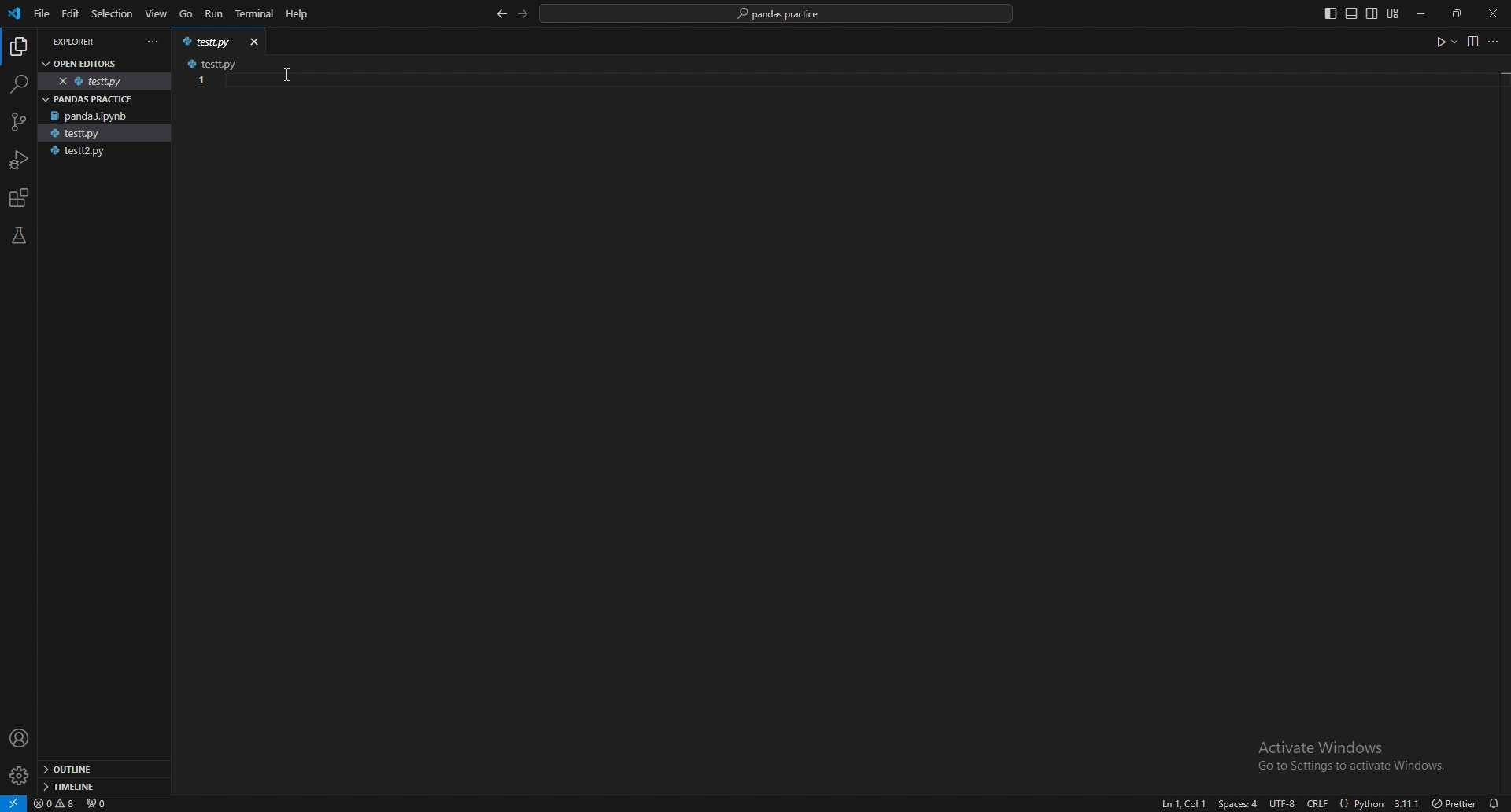 This screenshot has height=812, width=1511. Describe the element at coordinates (13, 803) in the screenshot. I see `remote window` at that location.